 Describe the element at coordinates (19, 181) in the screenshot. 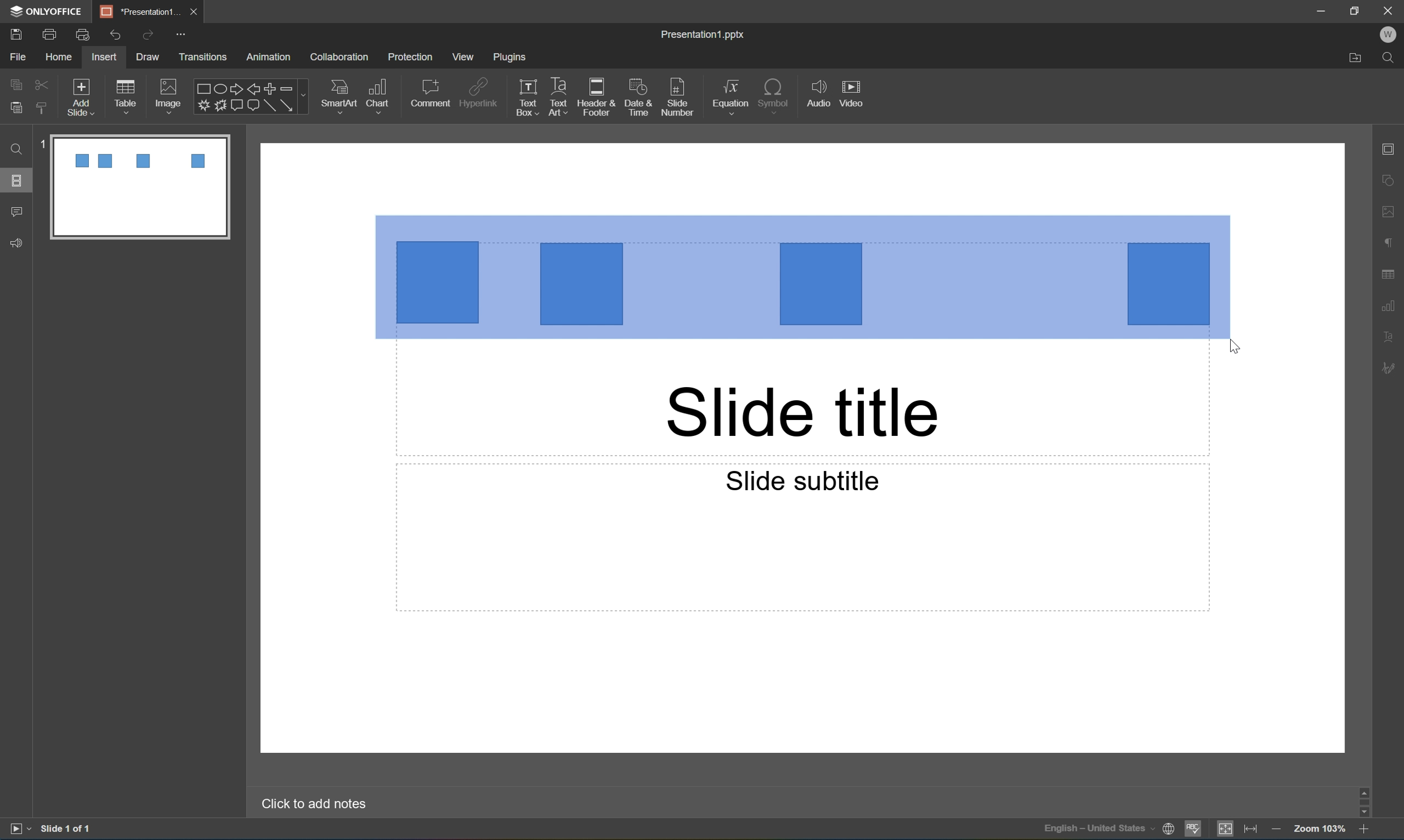

I see `slides` at that location.